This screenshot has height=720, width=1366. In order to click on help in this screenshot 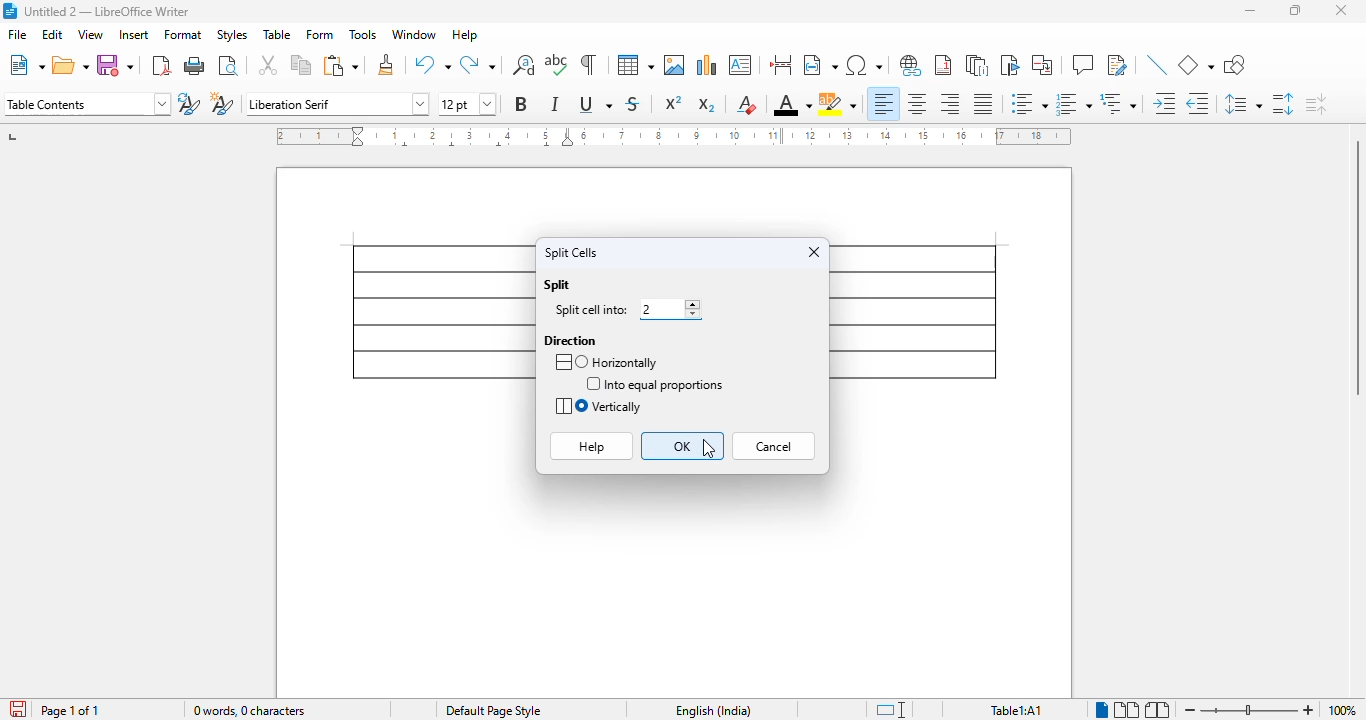, I will do `click(464, 34)`.